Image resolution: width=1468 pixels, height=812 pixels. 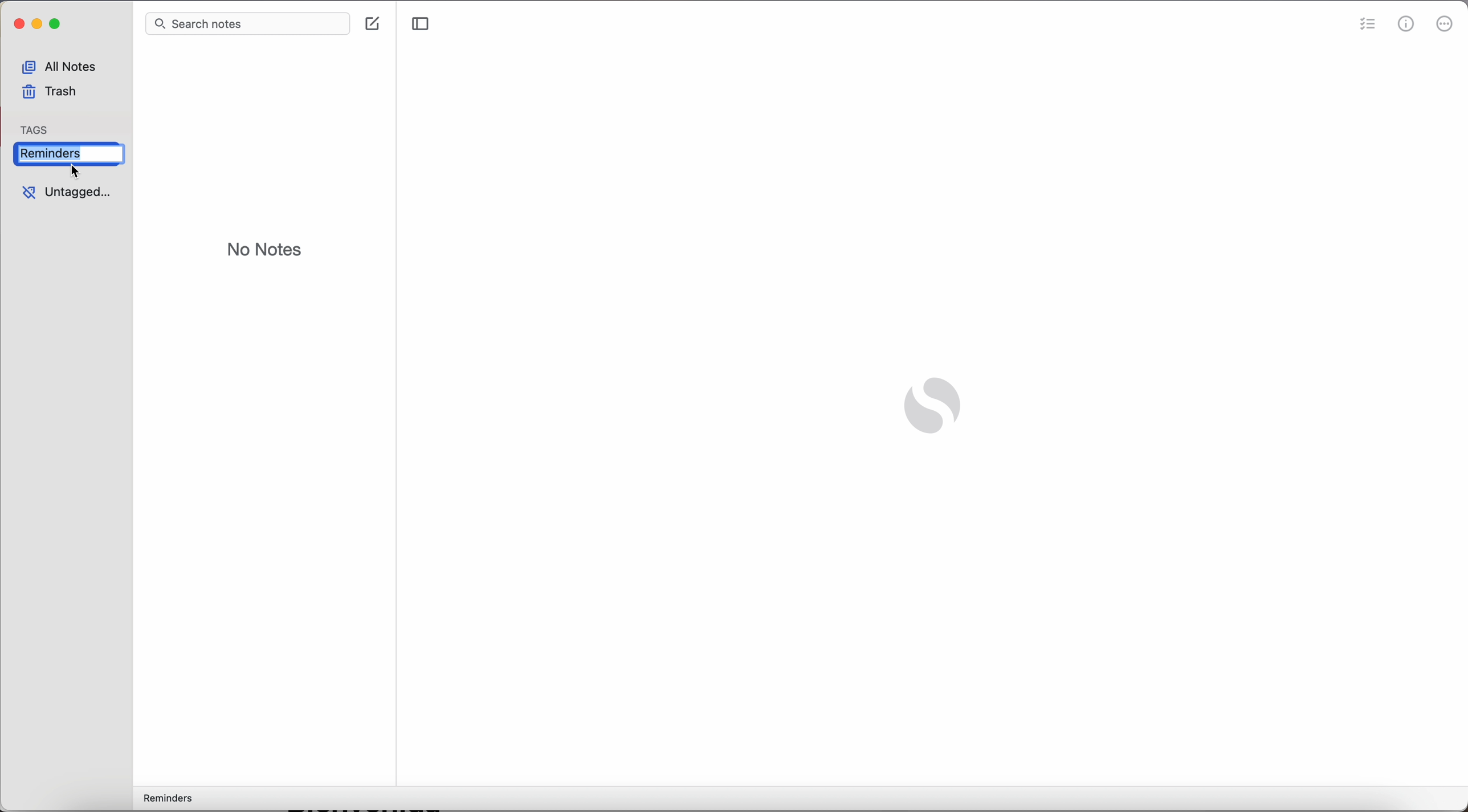 What do you see at coordinates (50, 94) in the screenshot?
I see `trash` at bounding box center [50, 94].